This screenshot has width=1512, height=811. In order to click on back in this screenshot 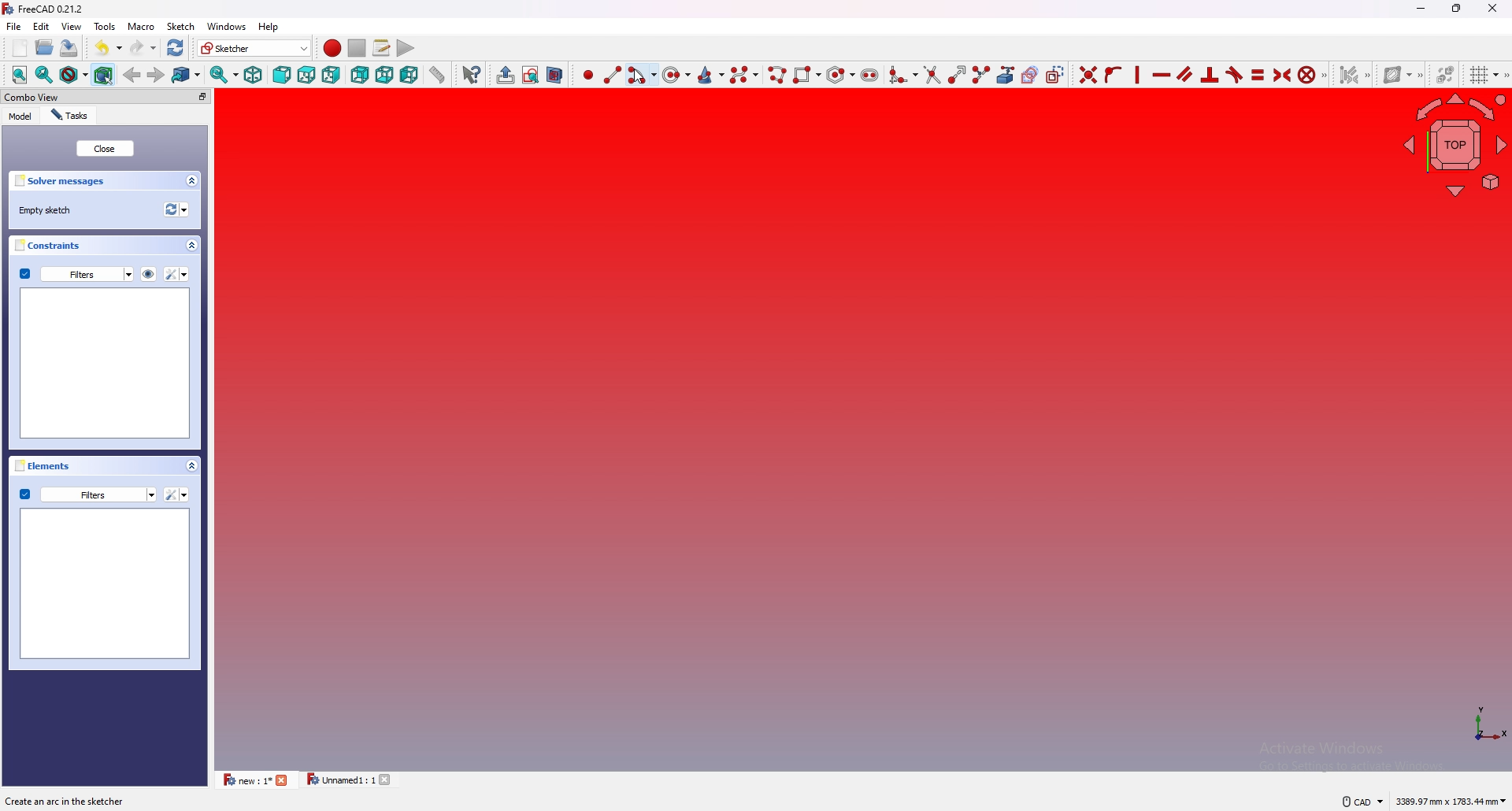, I will do `click(133, 75)`.